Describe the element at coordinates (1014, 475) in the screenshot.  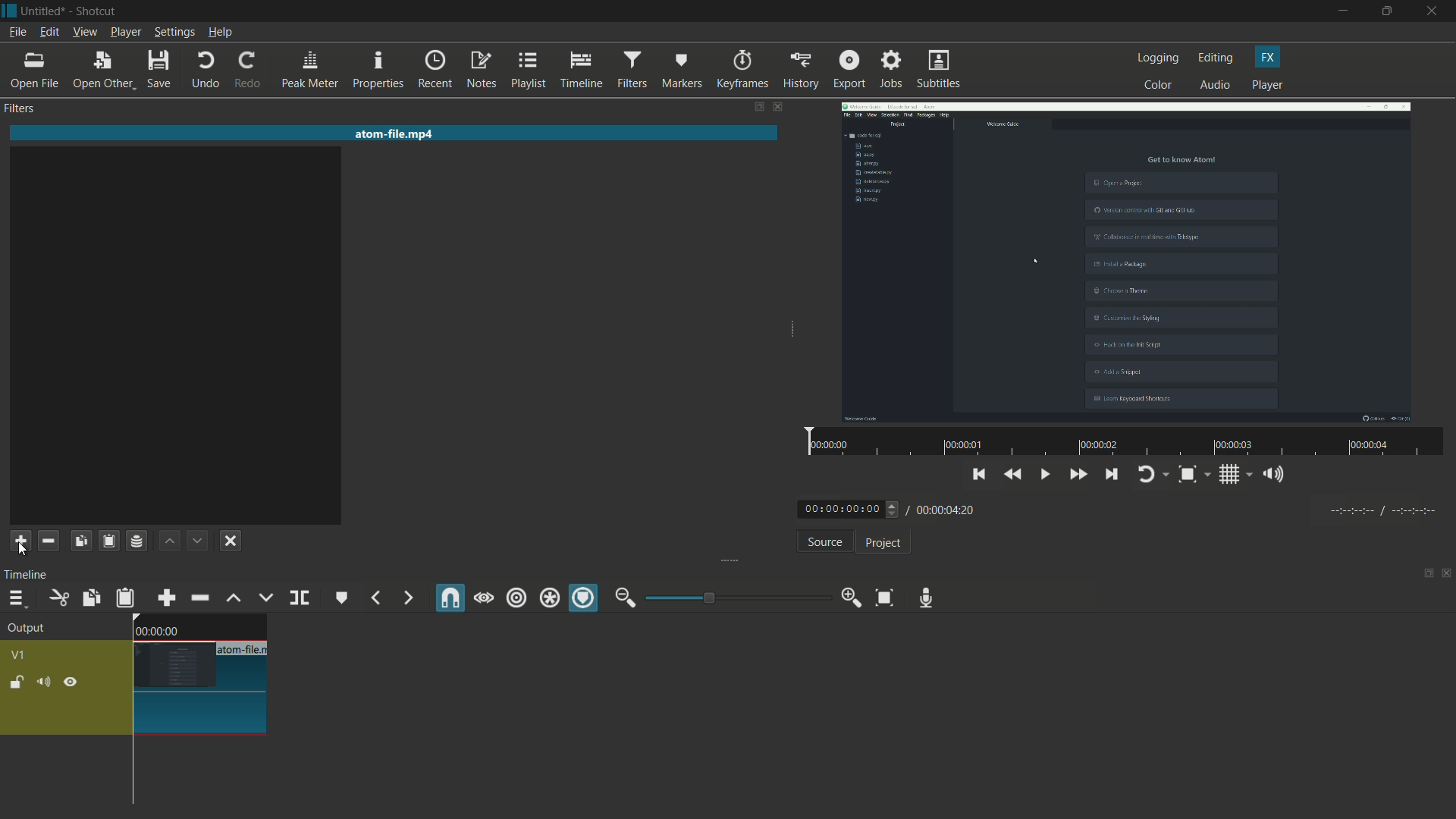
I see `play quickly backwards` at that location.